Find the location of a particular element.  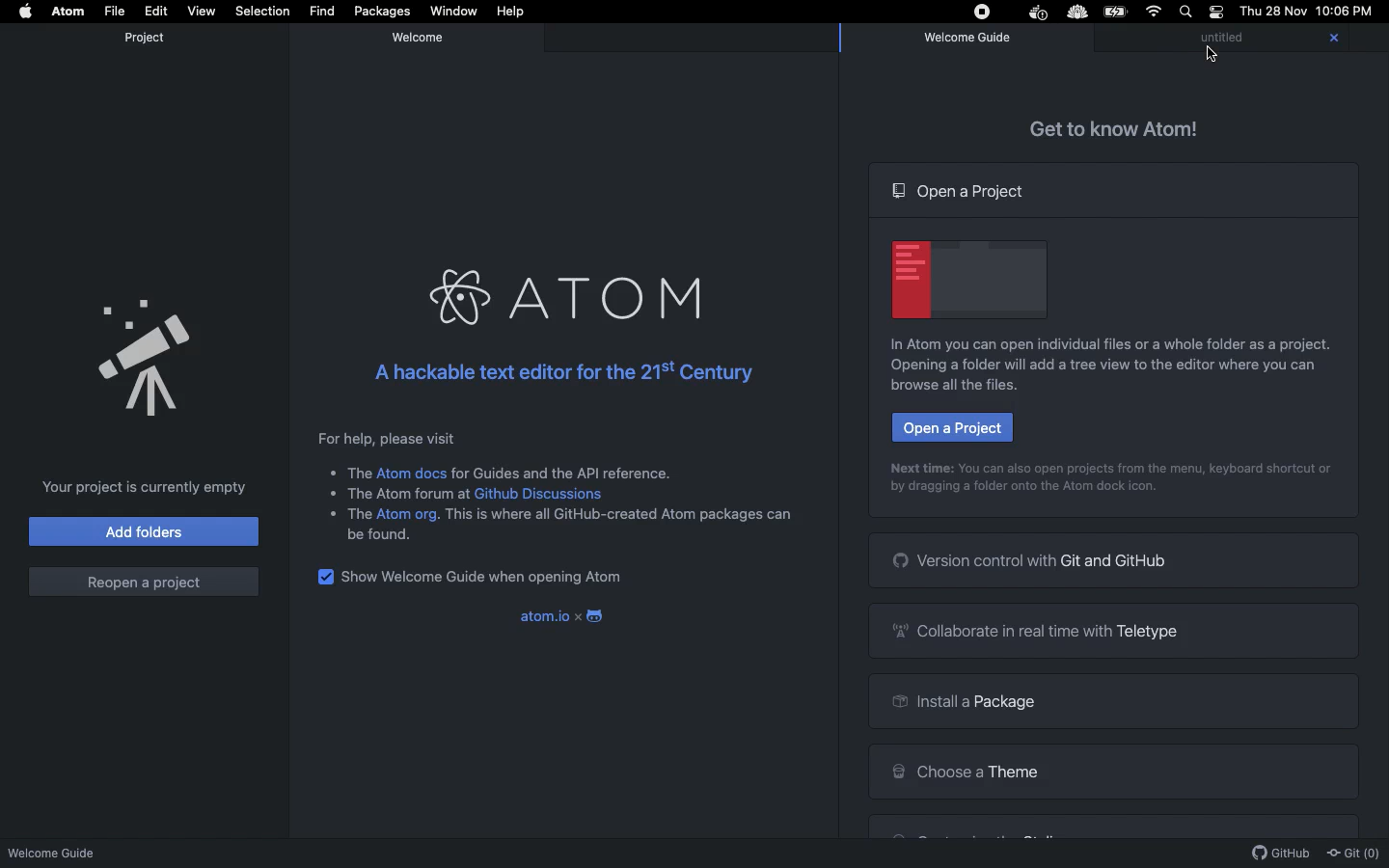

Version control with Git is located at coordinates (1111, 560).